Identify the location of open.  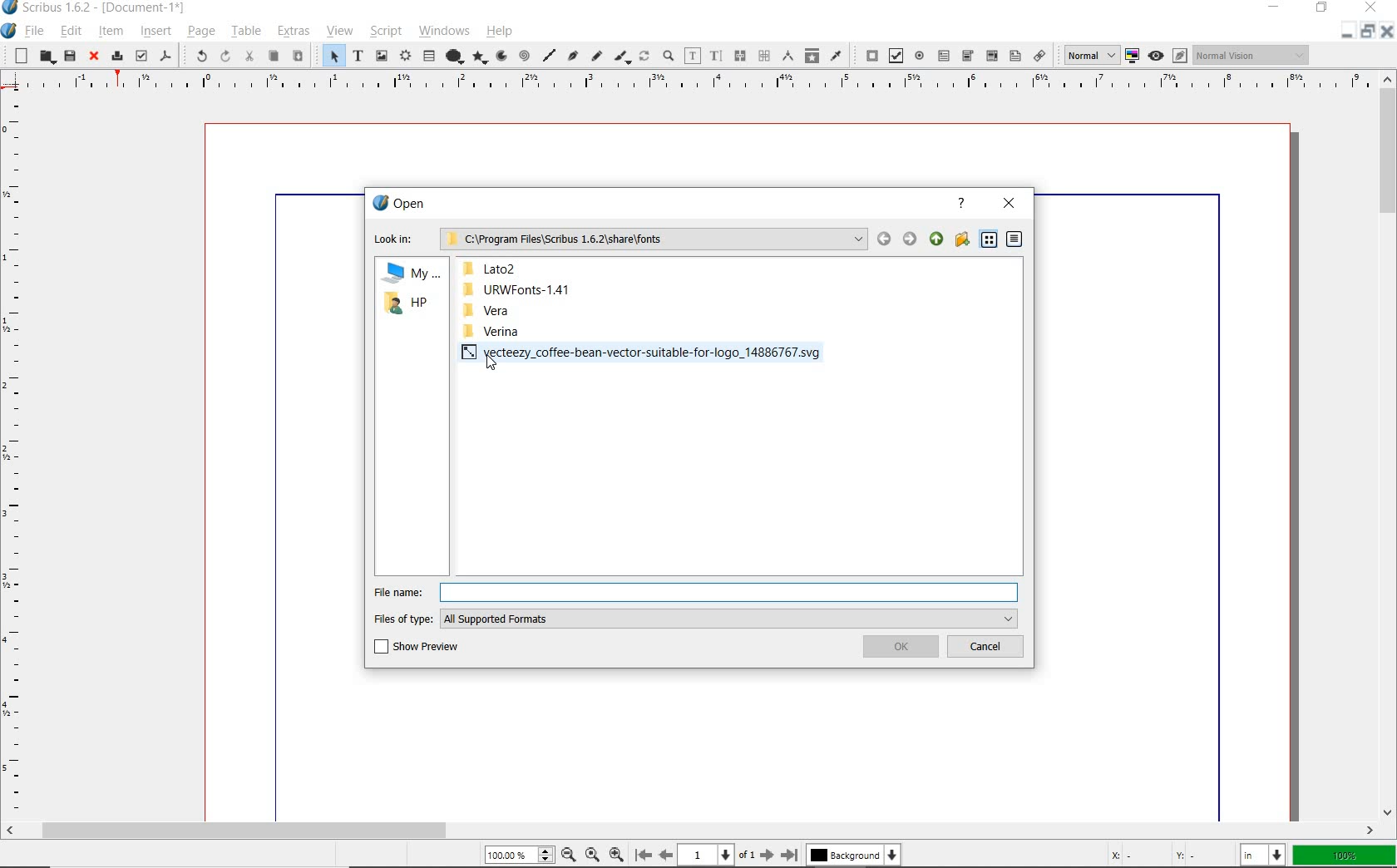
(46, 56).